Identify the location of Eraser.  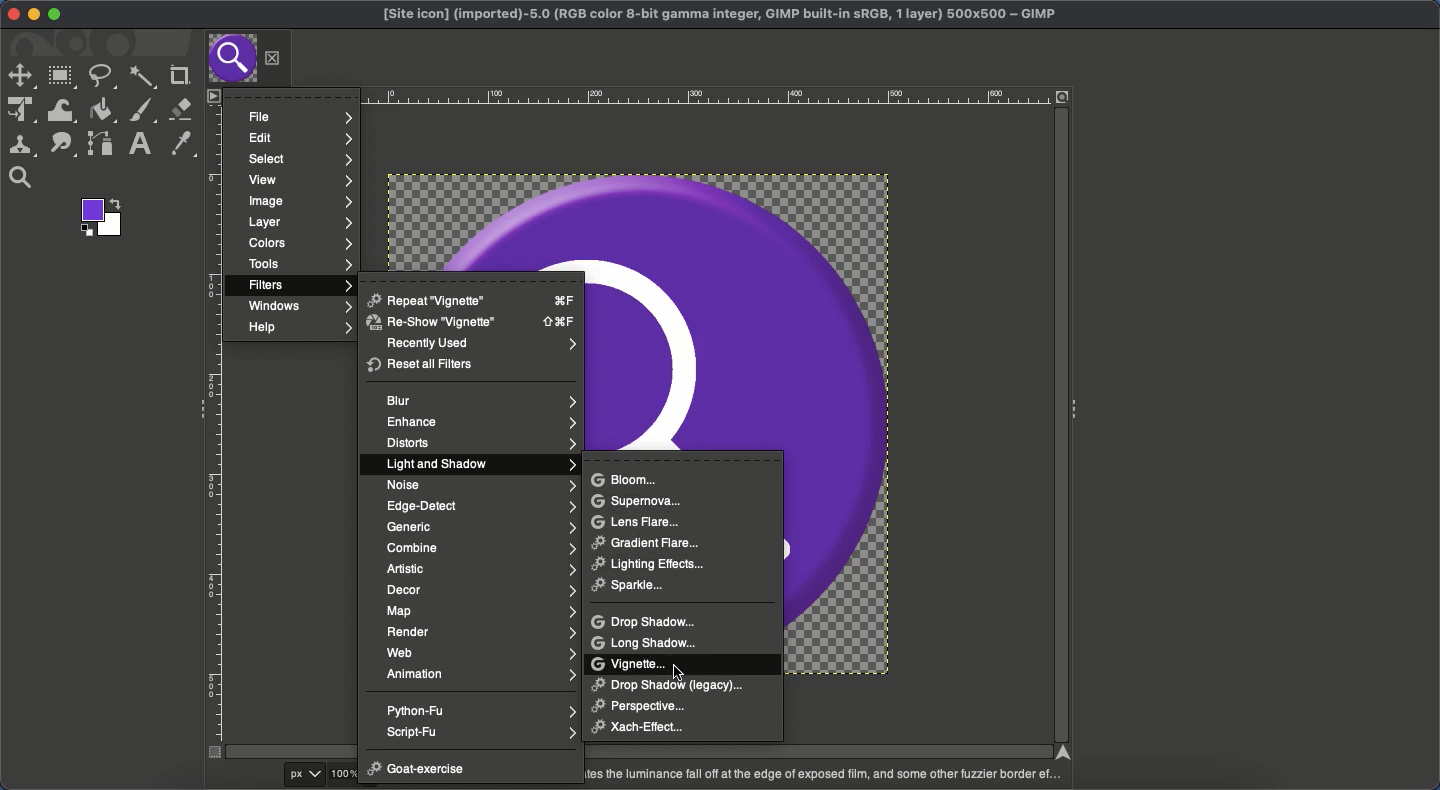
(181, 110).